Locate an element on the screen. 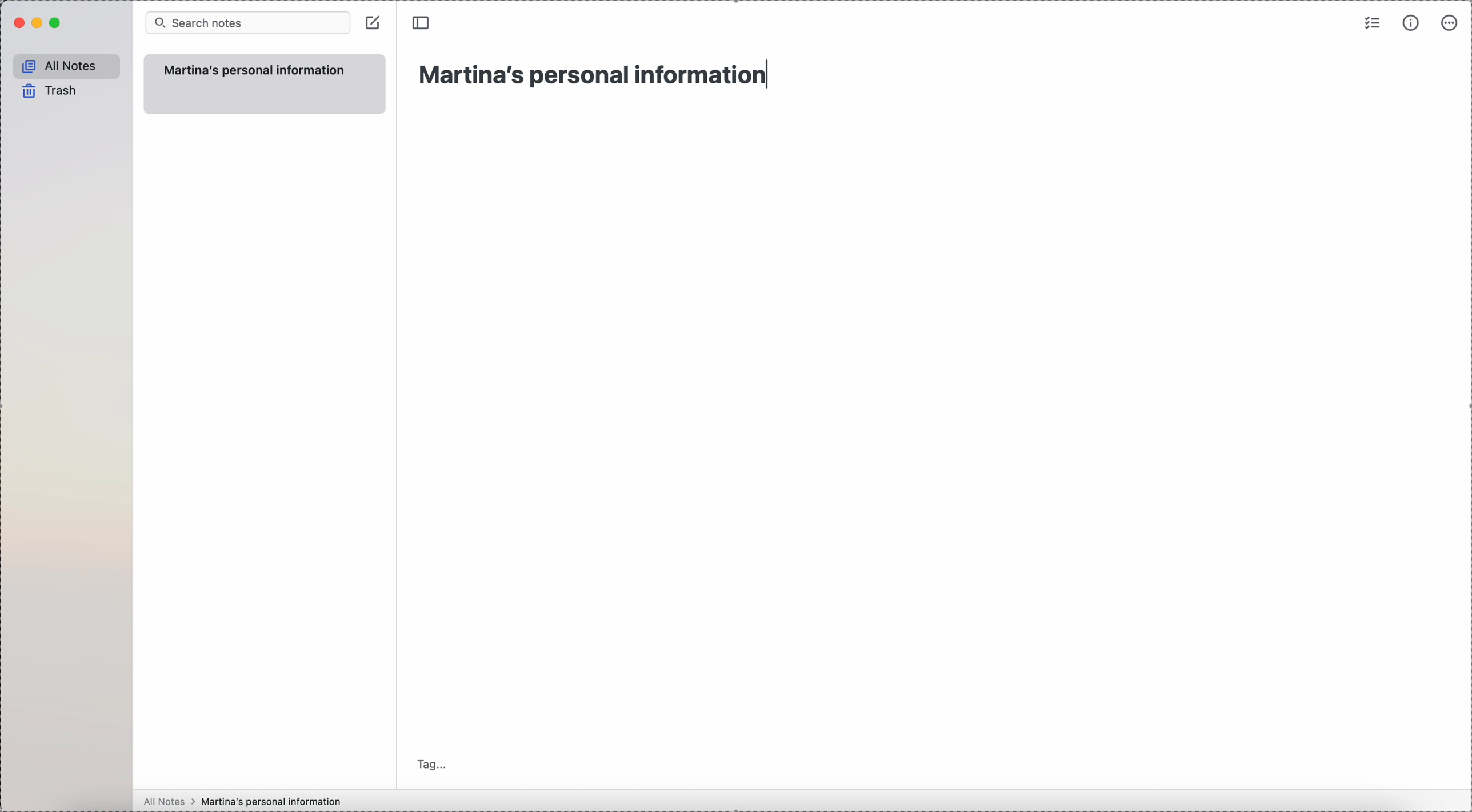 The width and height of the screenshot is (1472, 812). title: Martina's personal information is located at coordinates (591, 74).